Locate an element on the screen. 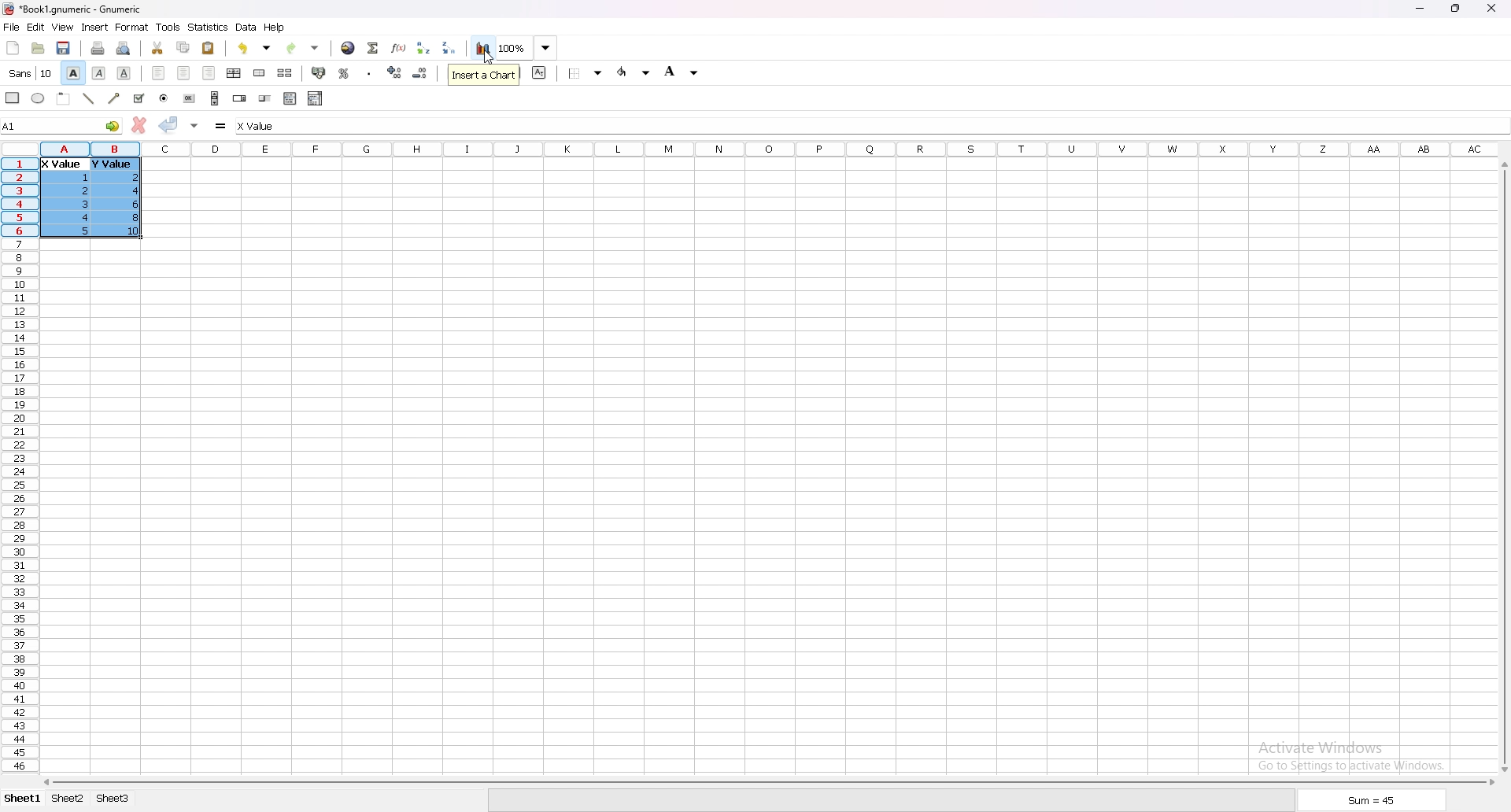 Image resolution: width=1511 pixels, height=812 pixels. statistics is located at coordinates (209, 27).